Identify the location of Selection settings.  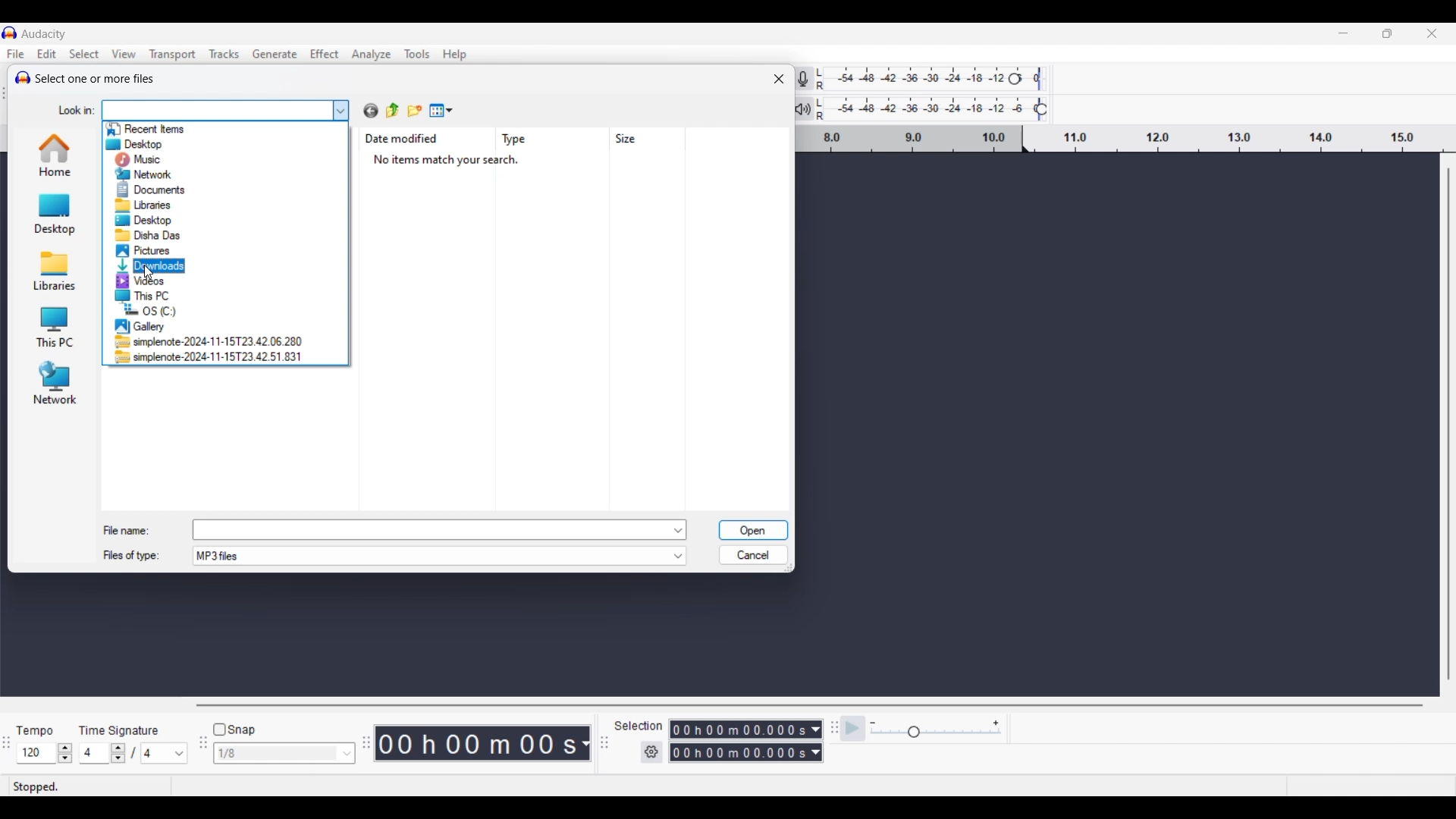
(652, 752).